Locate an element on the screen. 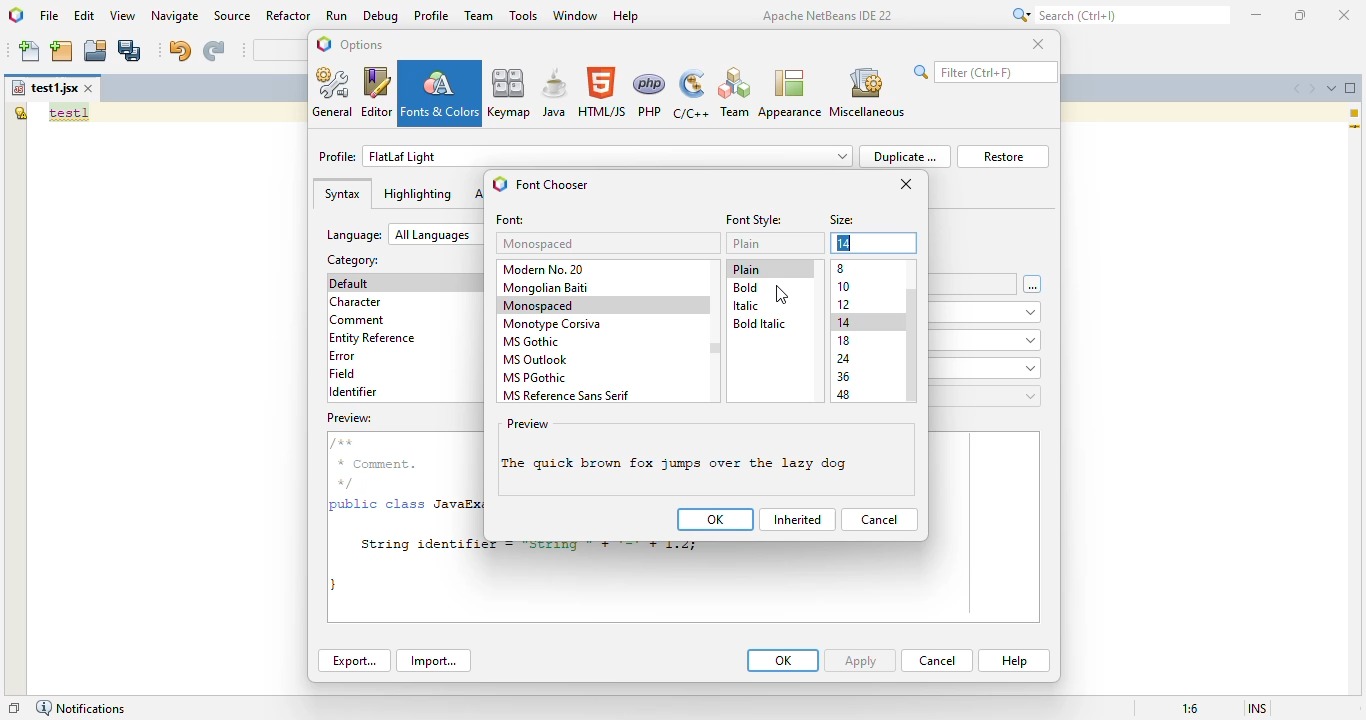  PHP is located at coordinates (651, 93).